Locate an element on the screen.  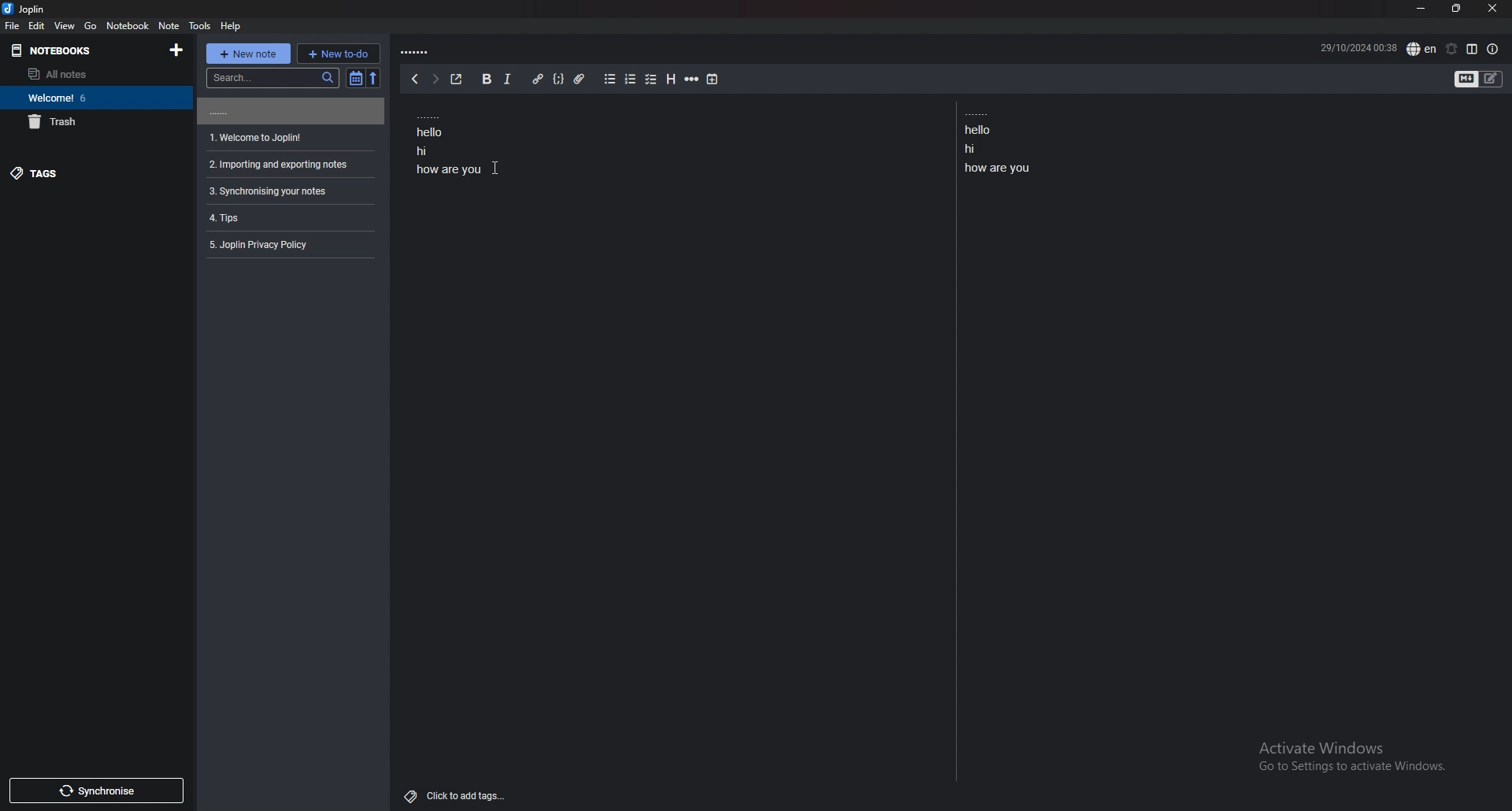
add hyperlink is located at coordinates (539, 79).